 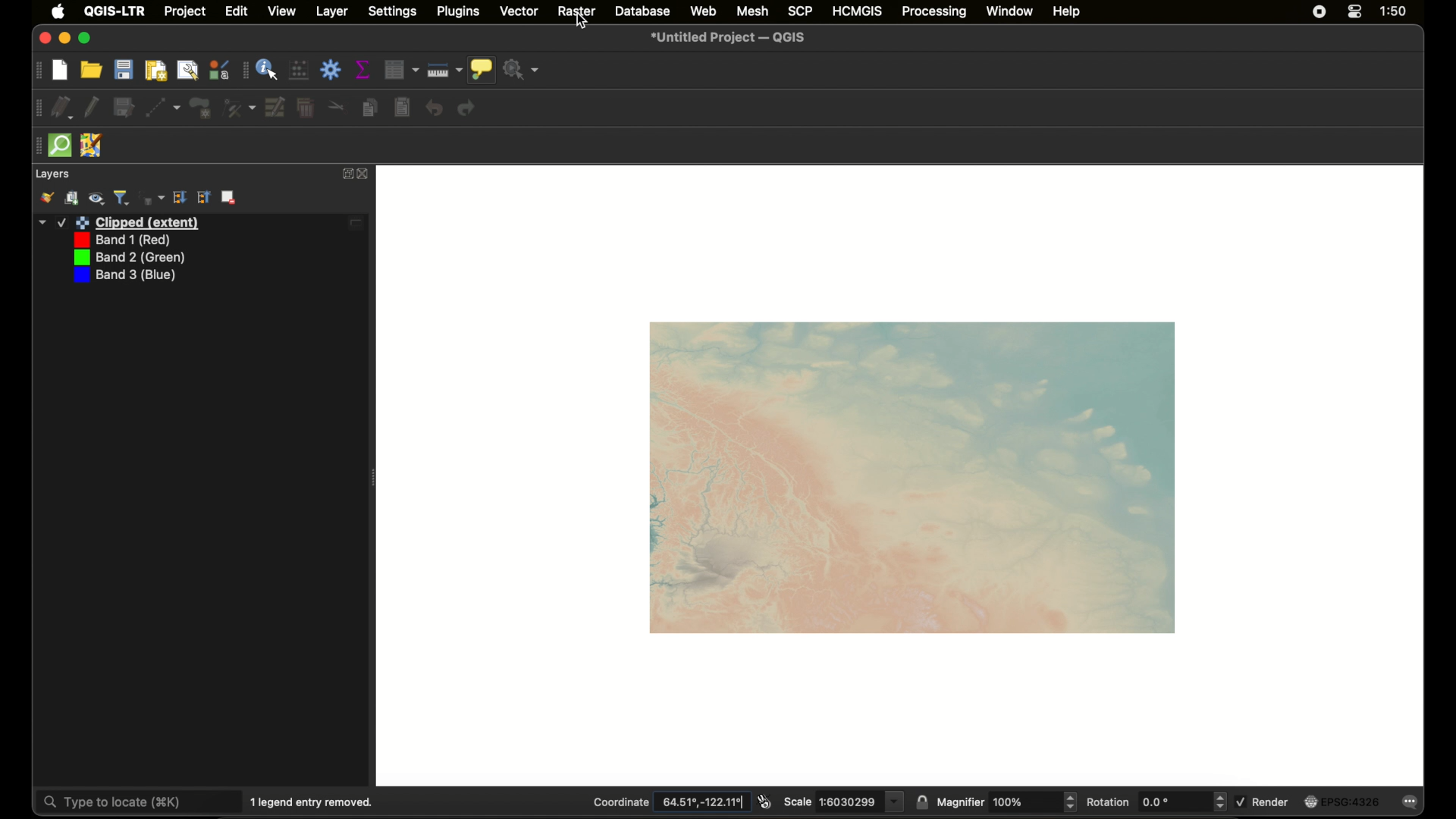 I want to click on vector, so click(x=520, y=11).